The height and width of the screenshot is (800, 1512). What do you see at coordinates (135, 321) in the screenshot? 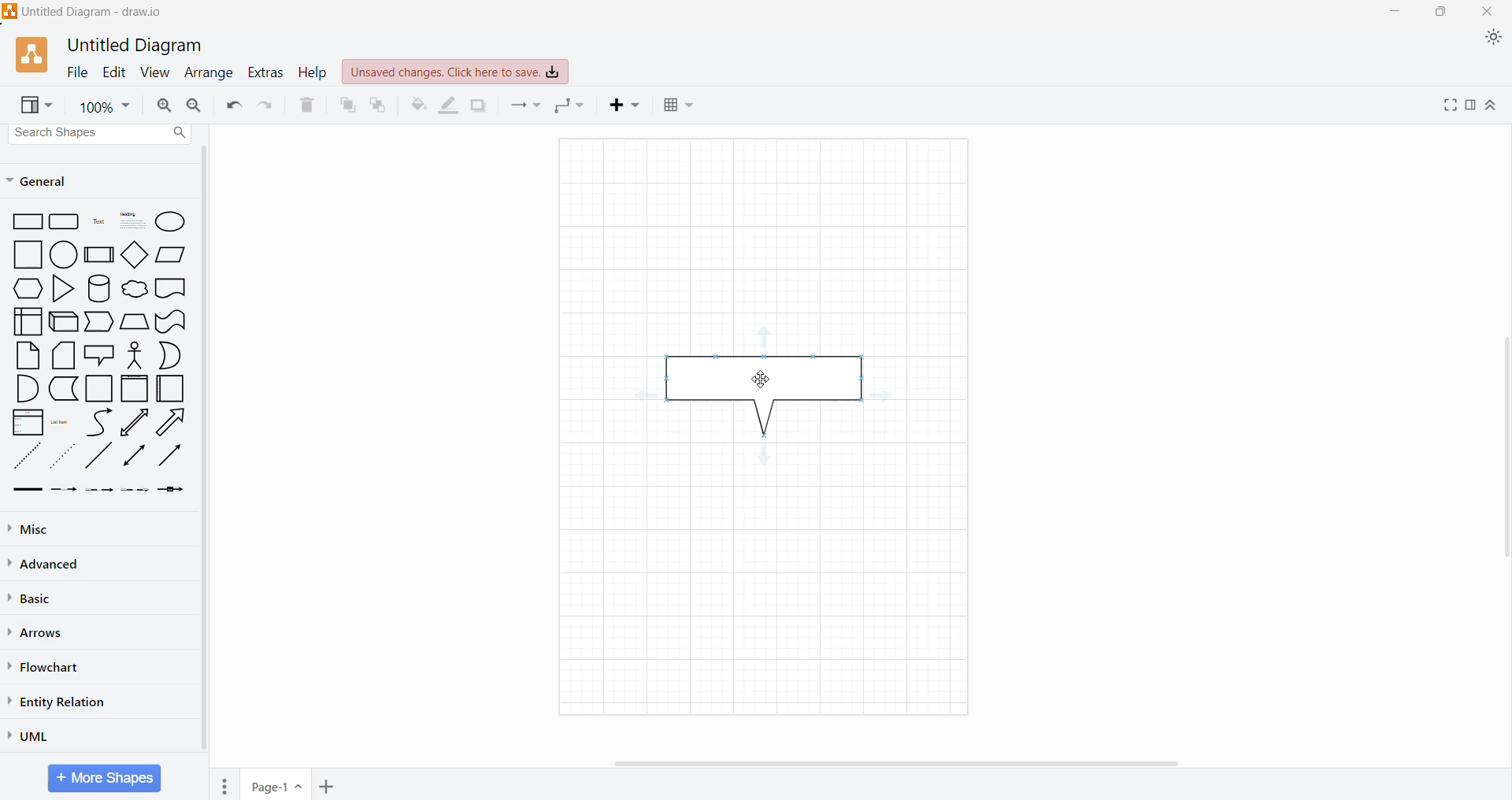
I see `manual input` at bounding box center [135, 321].